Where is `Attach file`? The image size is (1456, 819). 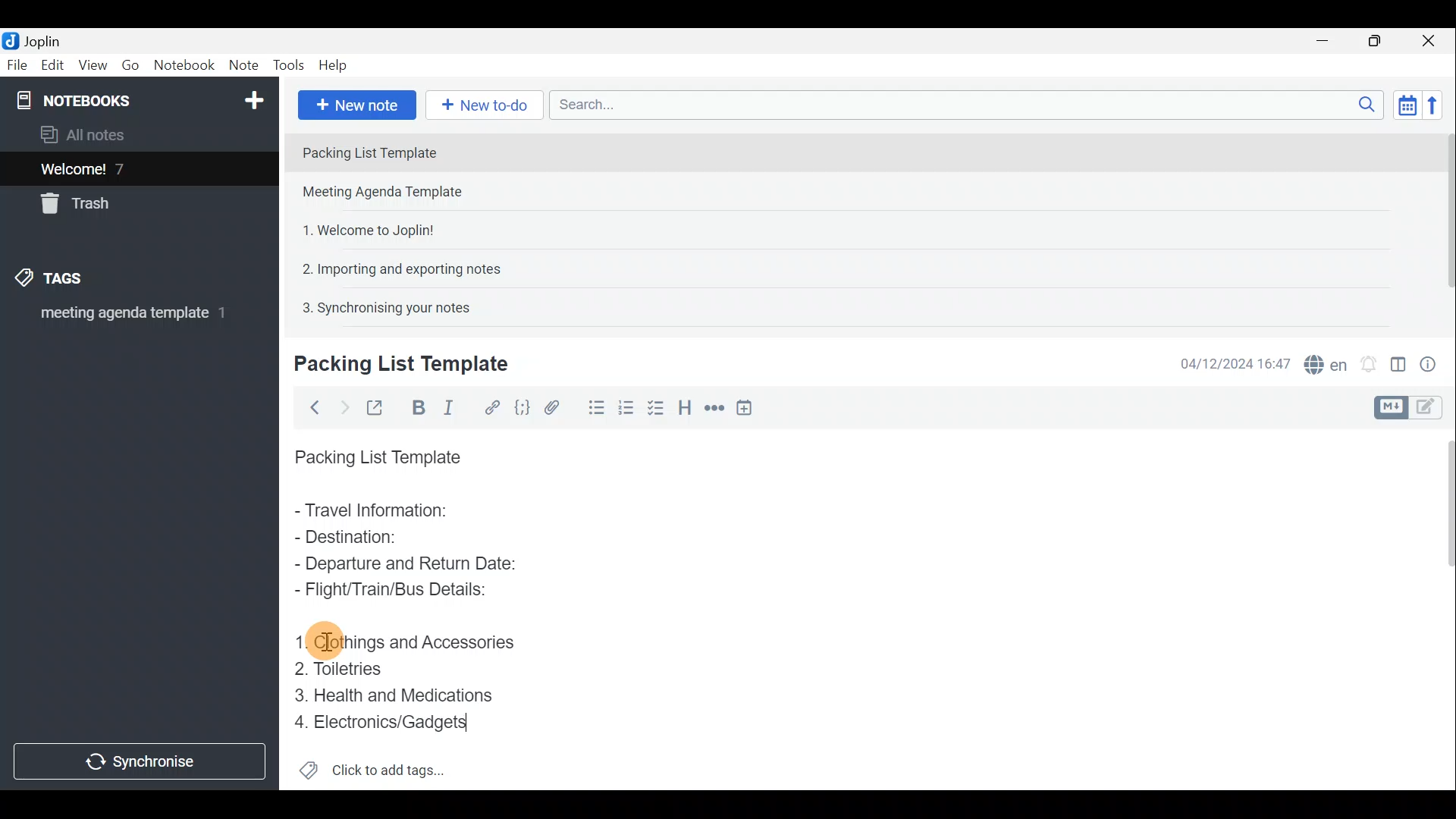 Attach file is located at coordinates (552, 406).